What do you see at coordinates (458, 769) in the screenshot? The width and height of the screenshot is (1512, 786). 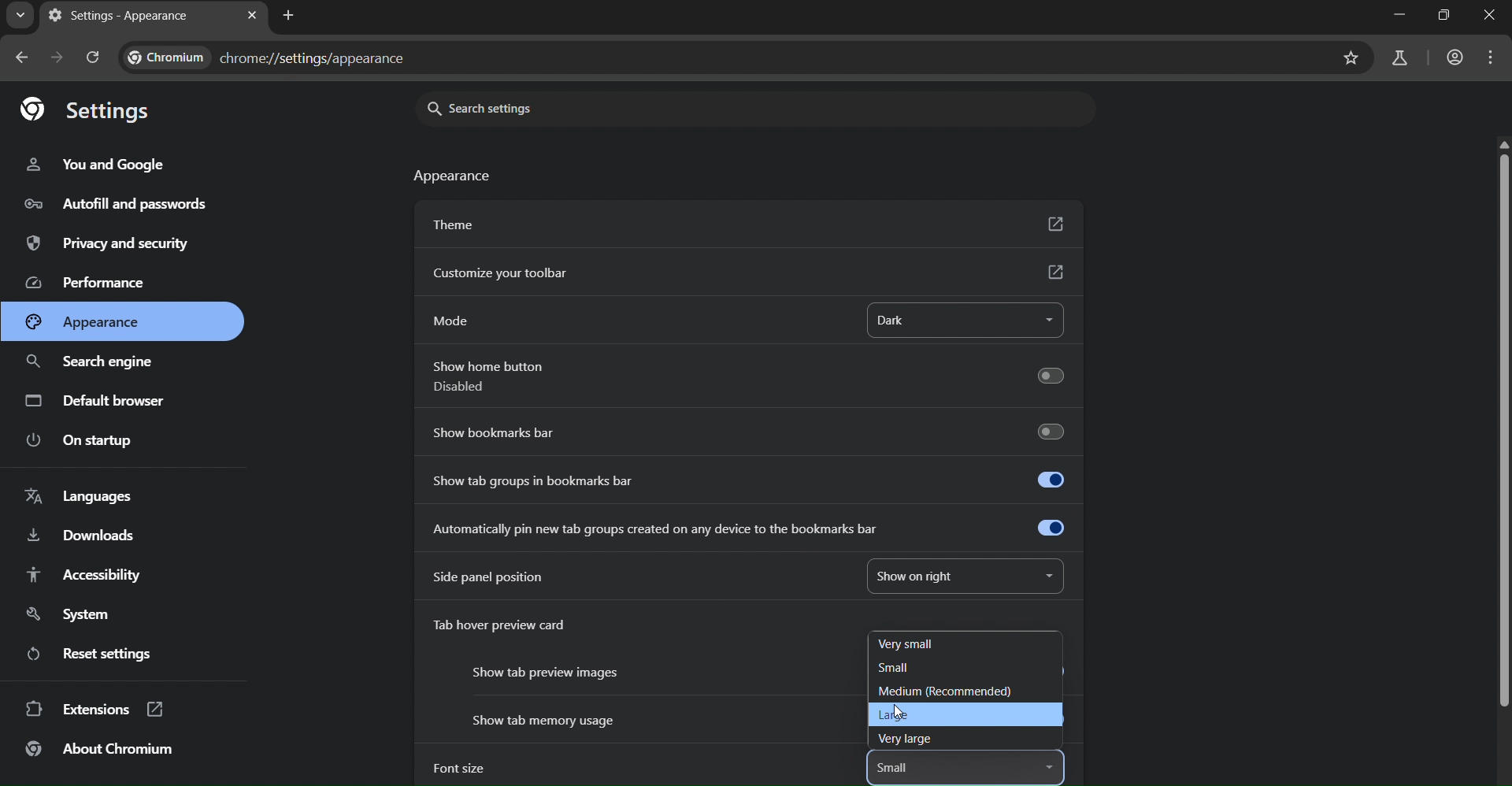 I see `font size` at bounding box center [458, 769].